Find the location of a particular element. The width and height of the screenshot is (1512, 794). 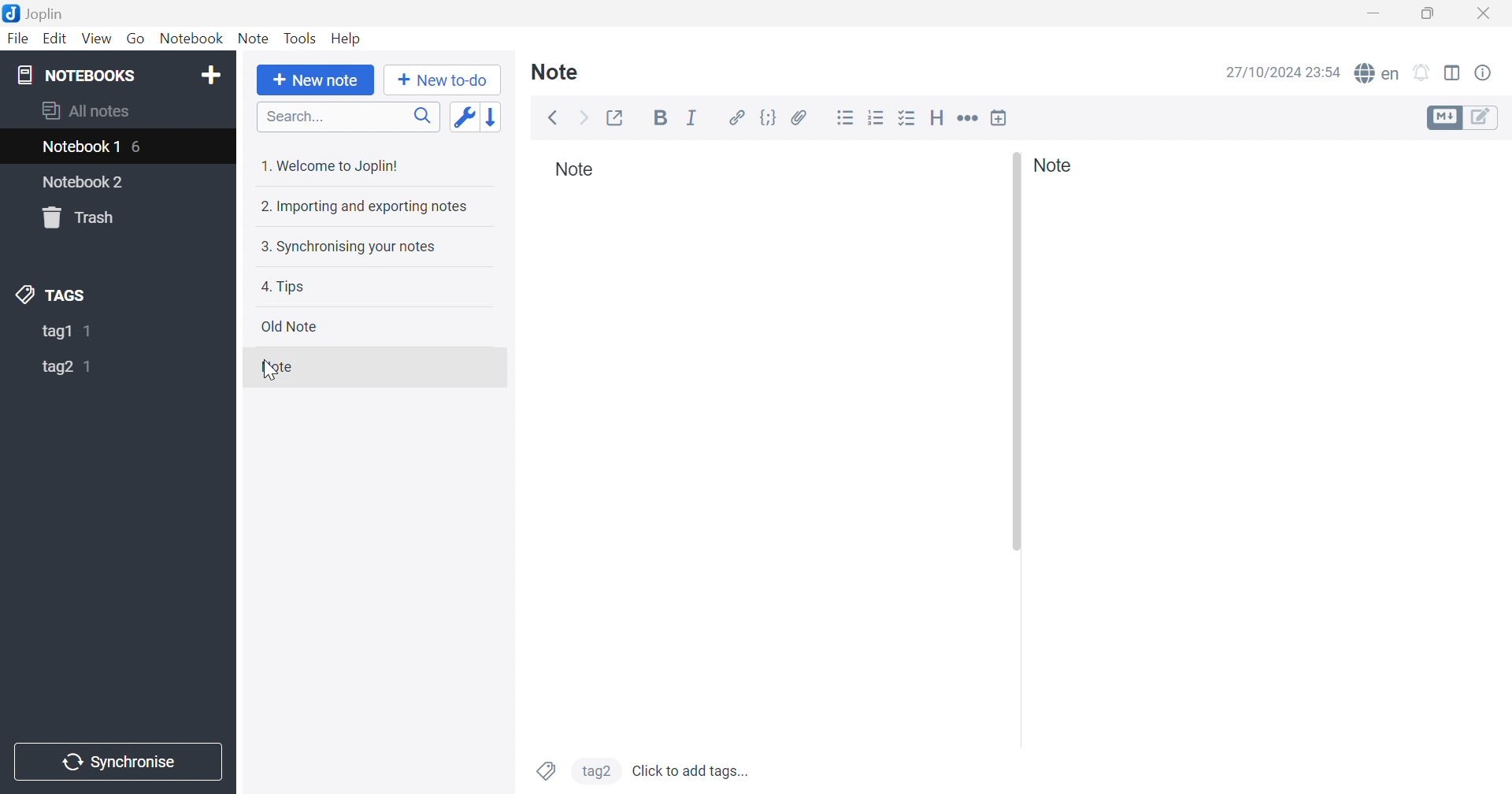

NOTEBOOKS is located at coordinates (74, 73).